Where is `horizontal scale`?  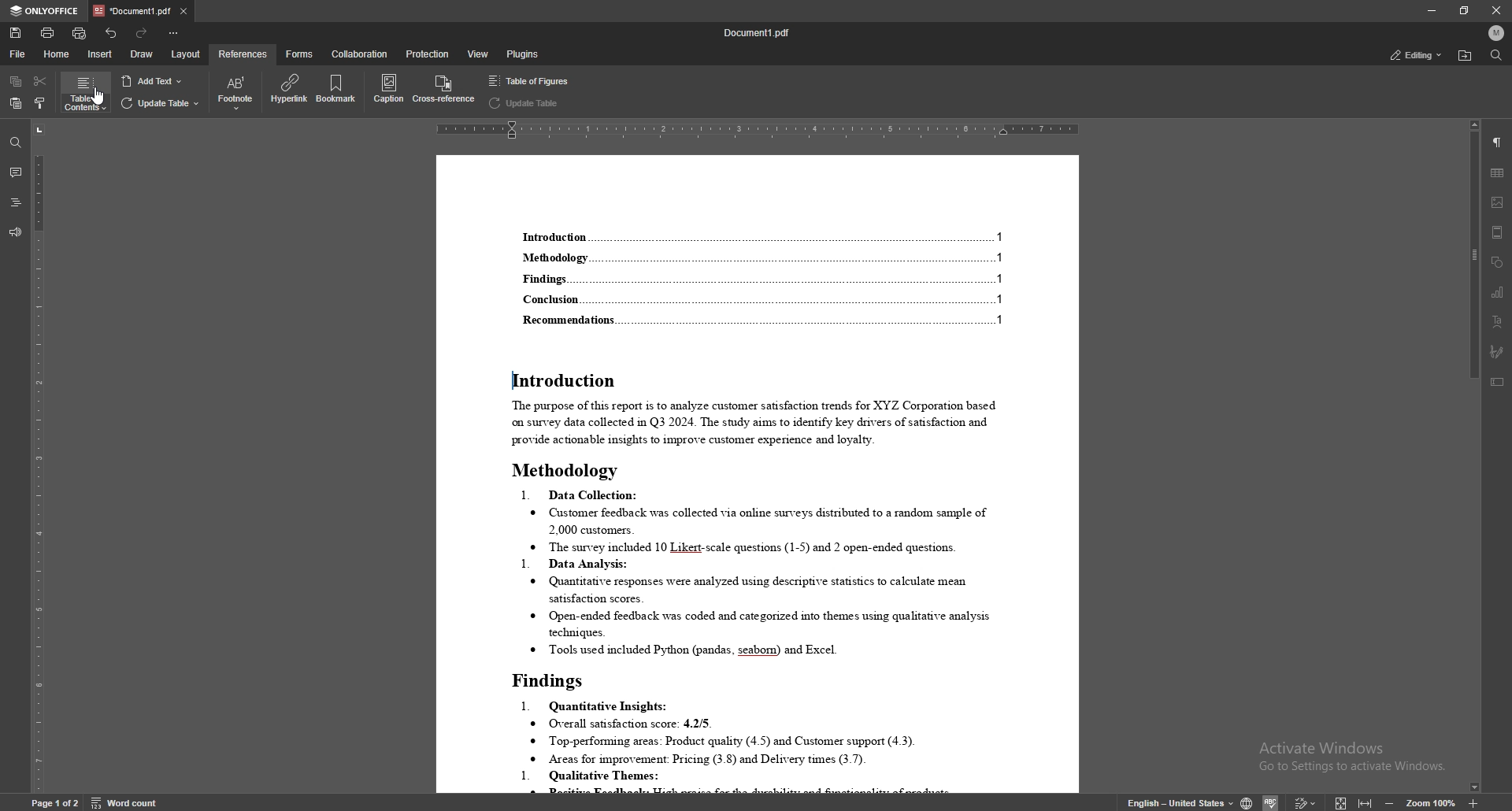
horizontal scale is located at coordinates (758, 129).